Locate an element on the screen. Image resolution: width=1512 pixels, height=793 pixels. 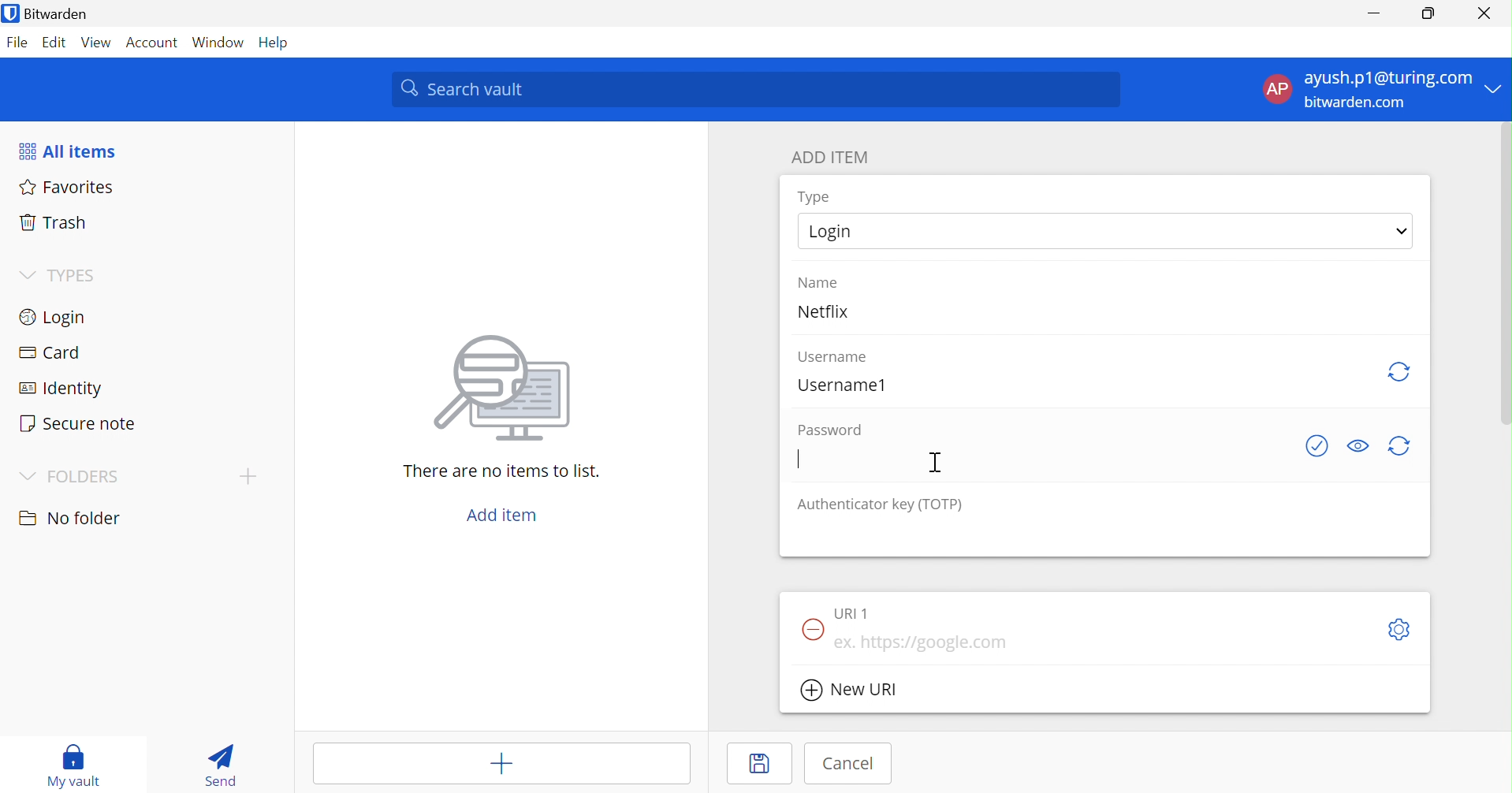
View is located at coordinates (96, 43).